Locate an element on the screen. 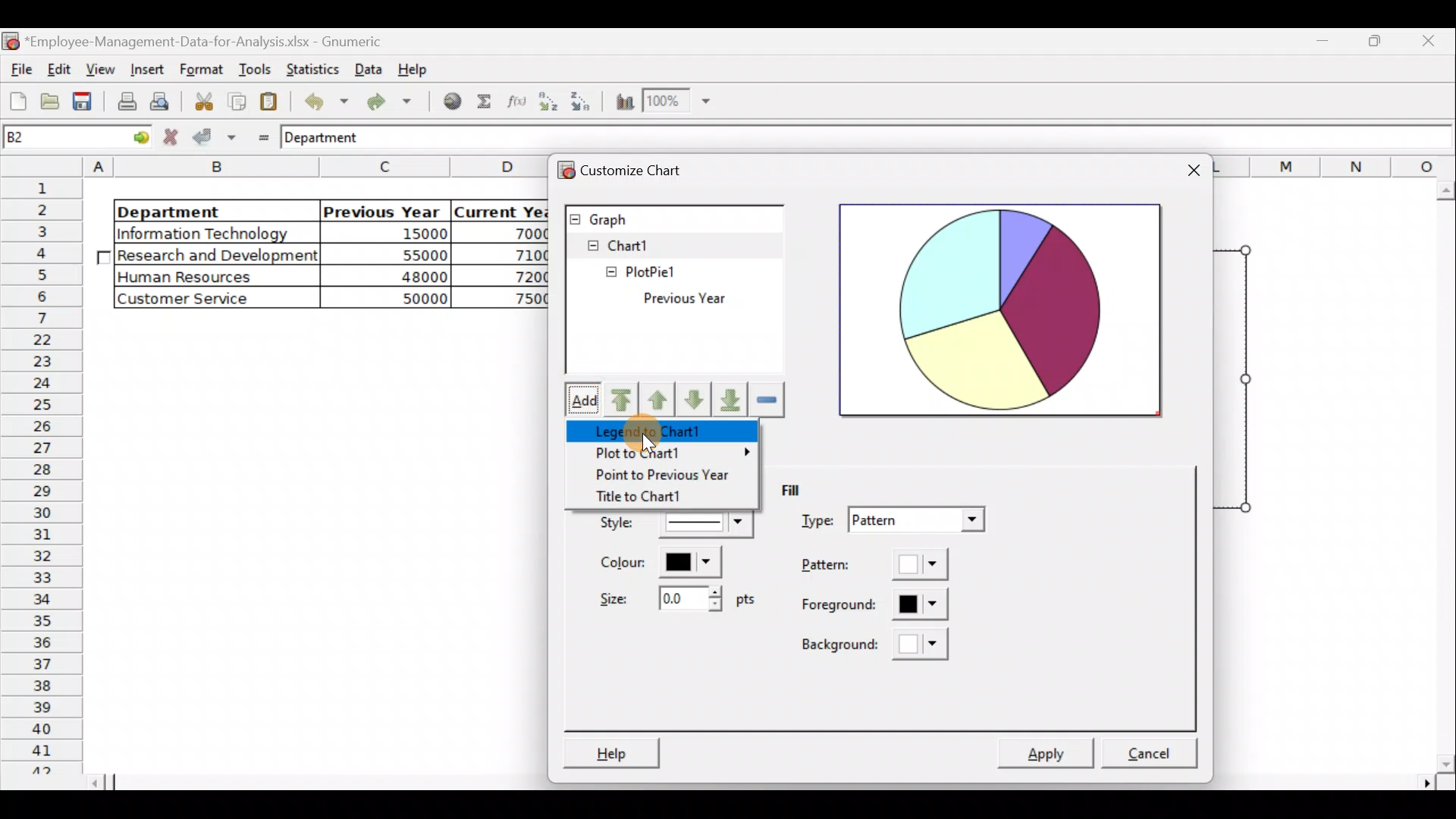  Customer Service is located at coordinates (201, 299).